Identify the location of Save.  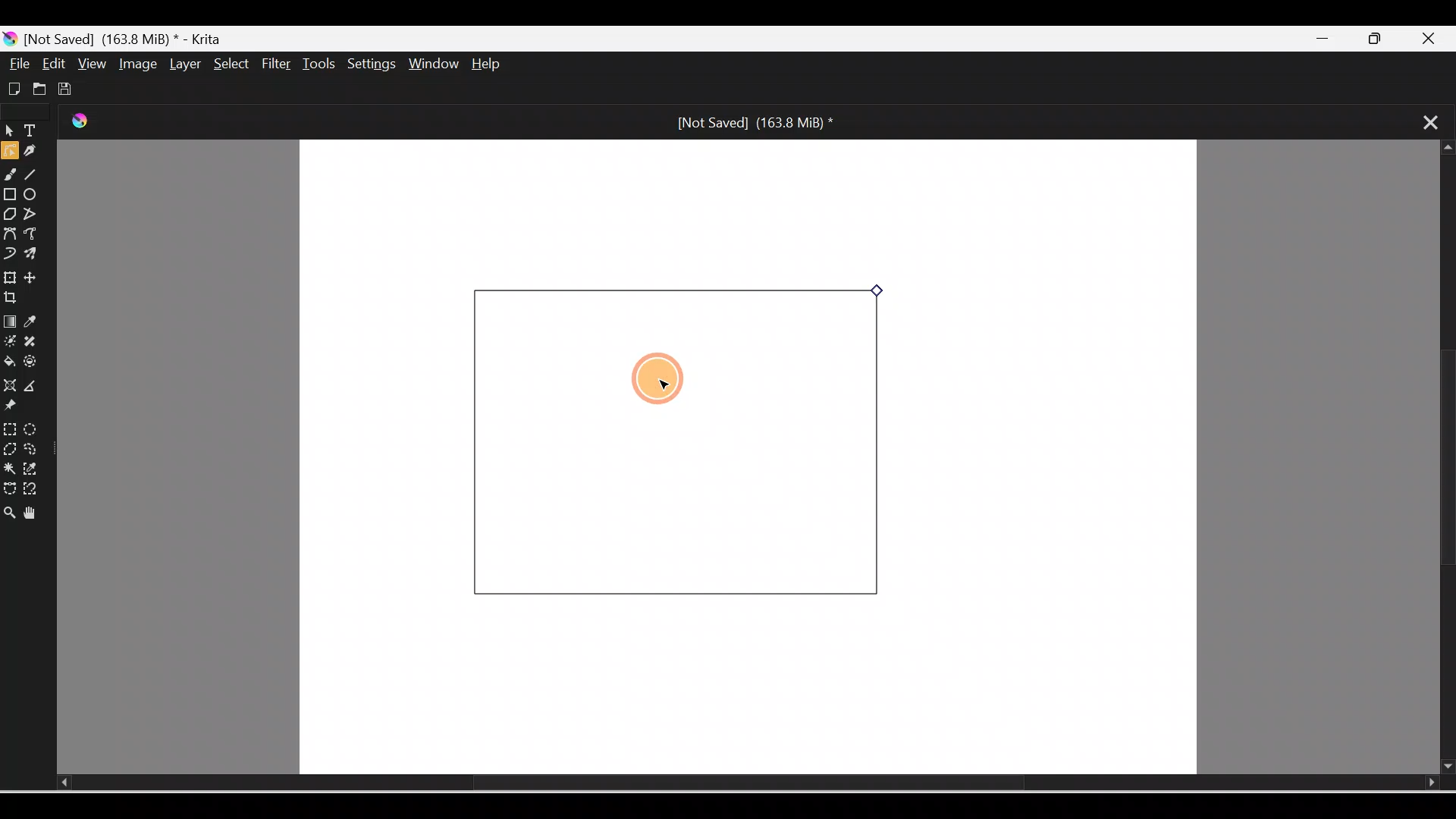
(68, 86).